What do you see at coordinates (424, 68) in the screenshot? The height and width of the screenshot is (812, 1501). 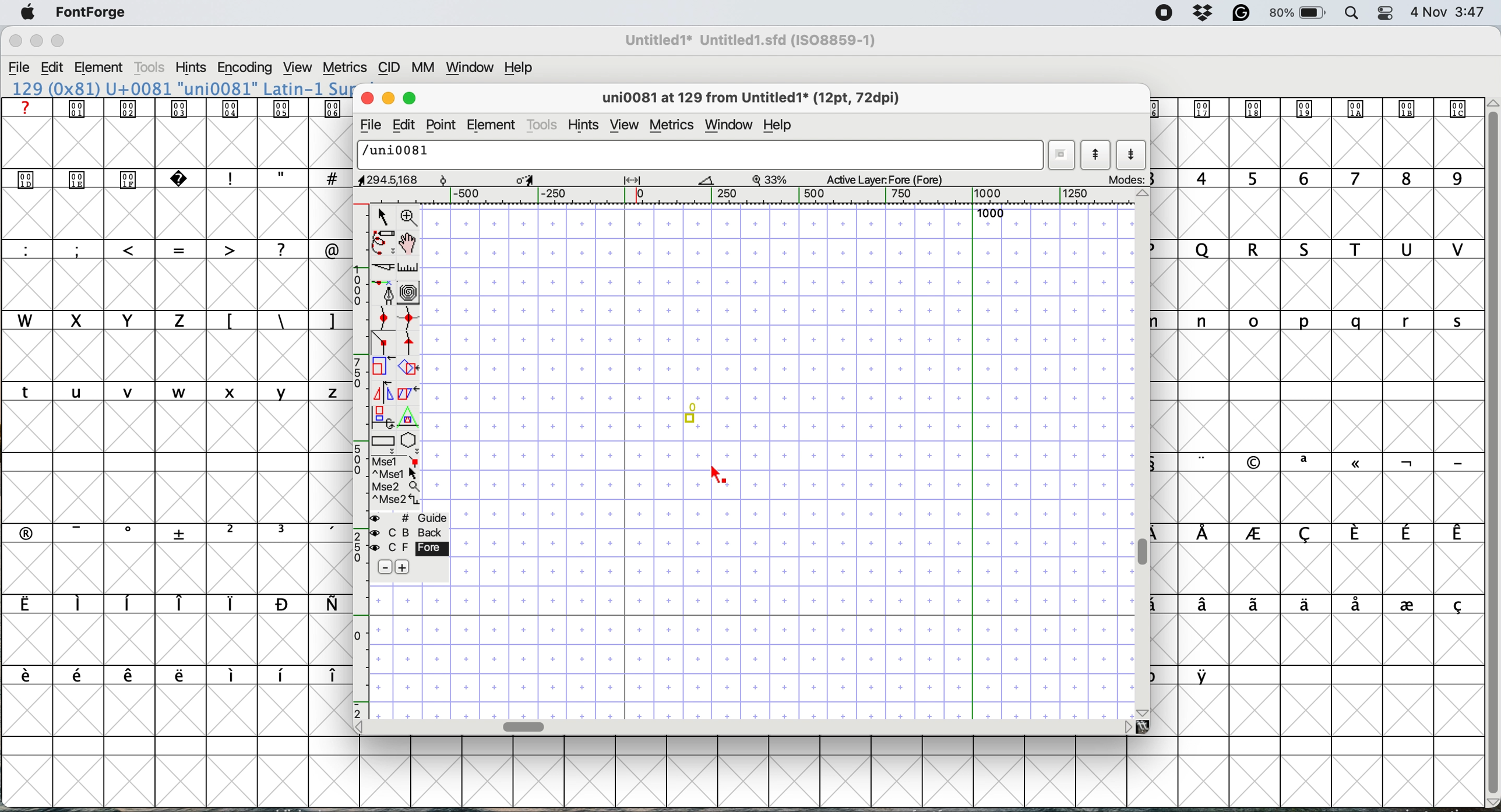 I see `MM` at bounding box center [424, 68].